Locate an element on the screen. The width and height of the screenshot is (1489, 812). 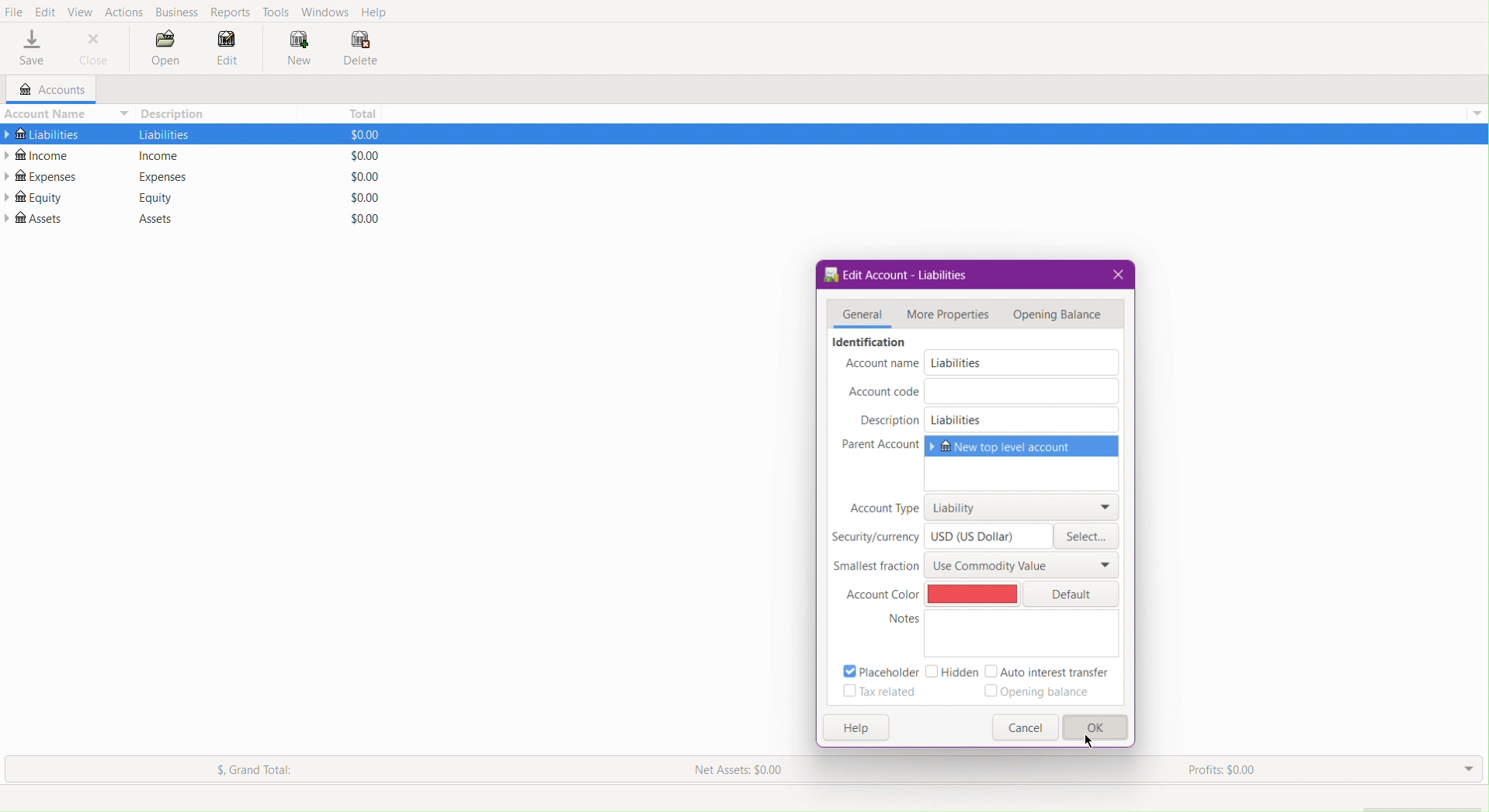
Cursor is located at coordinates (1092, 743).